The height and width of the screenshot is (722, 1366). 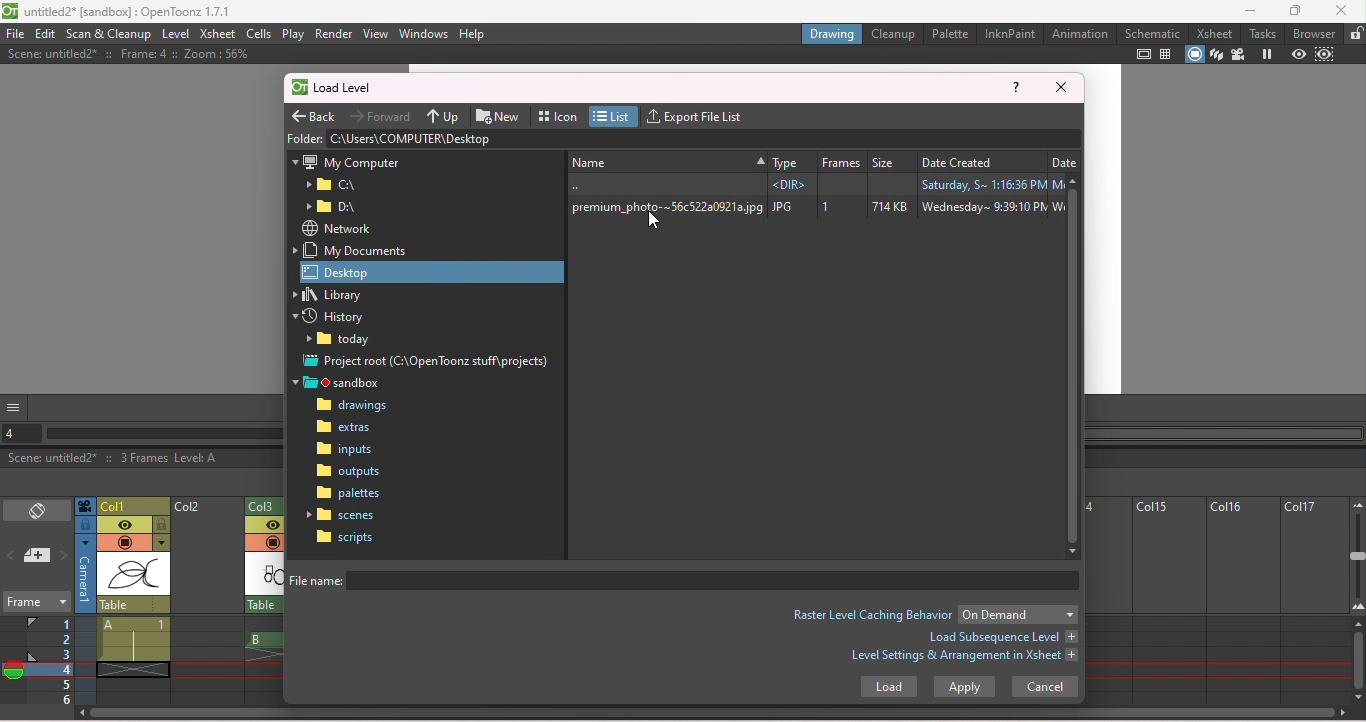 What do you see at coordinates (896, 33) in the screenshot?
I see `Cleanup` at bounding box center [896, 33].